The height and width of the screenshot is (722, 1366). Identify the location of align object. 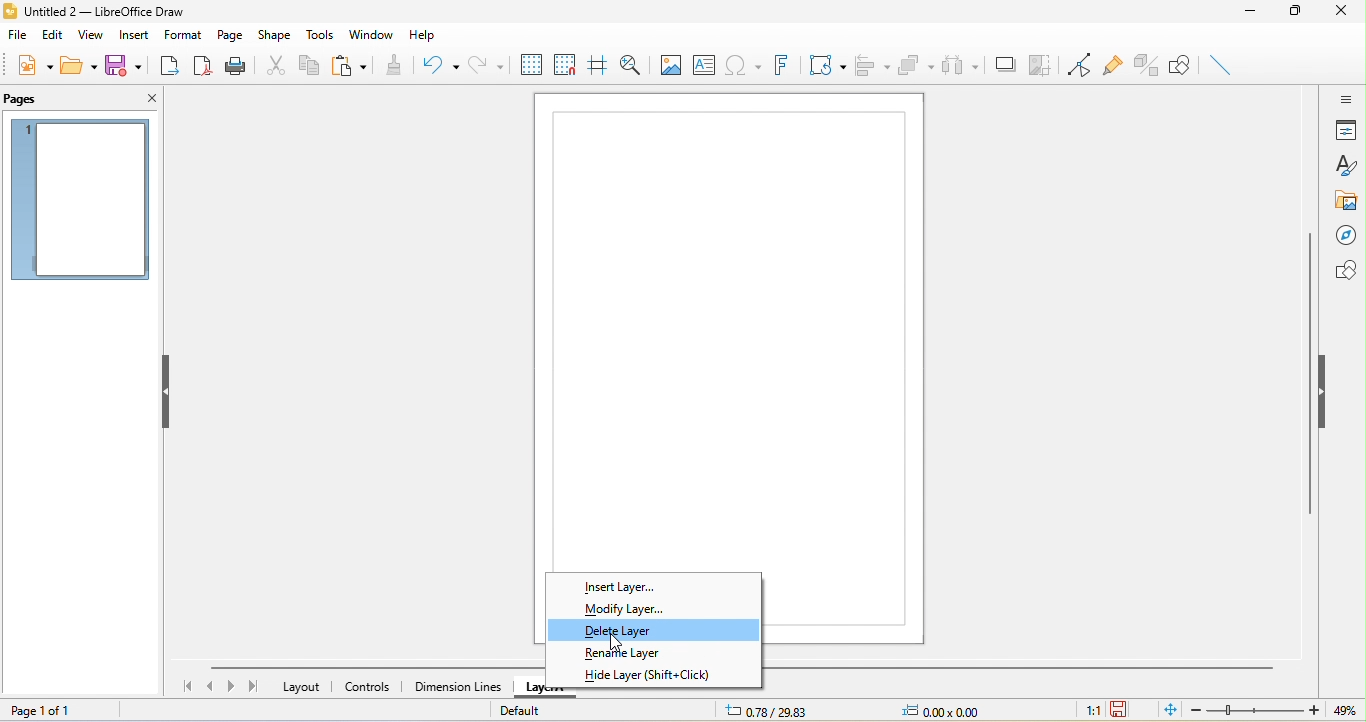
(871, 66).